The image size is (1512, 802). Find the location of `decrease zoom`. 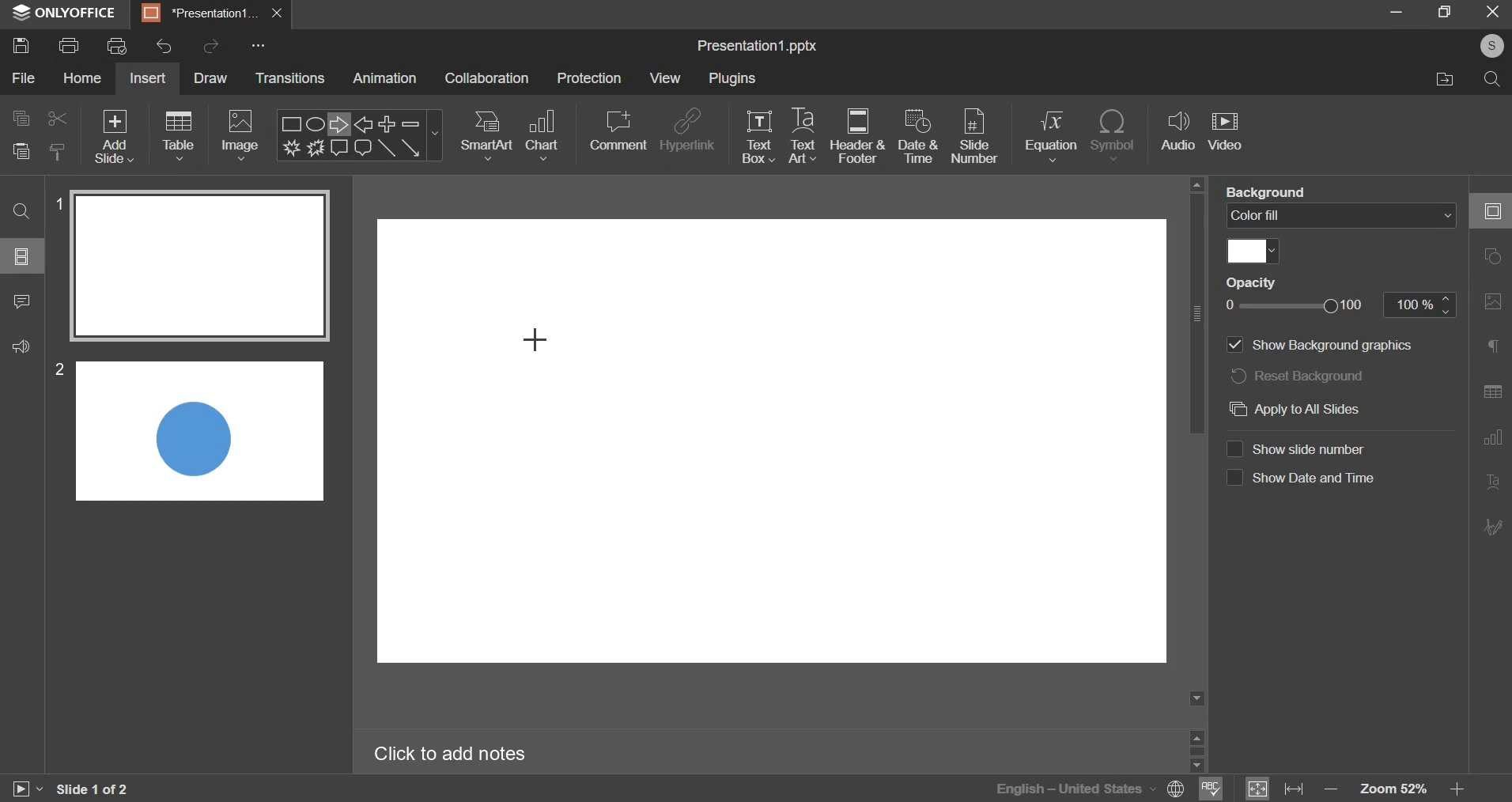

decrease zoom is located at coordinates (1332, 789).